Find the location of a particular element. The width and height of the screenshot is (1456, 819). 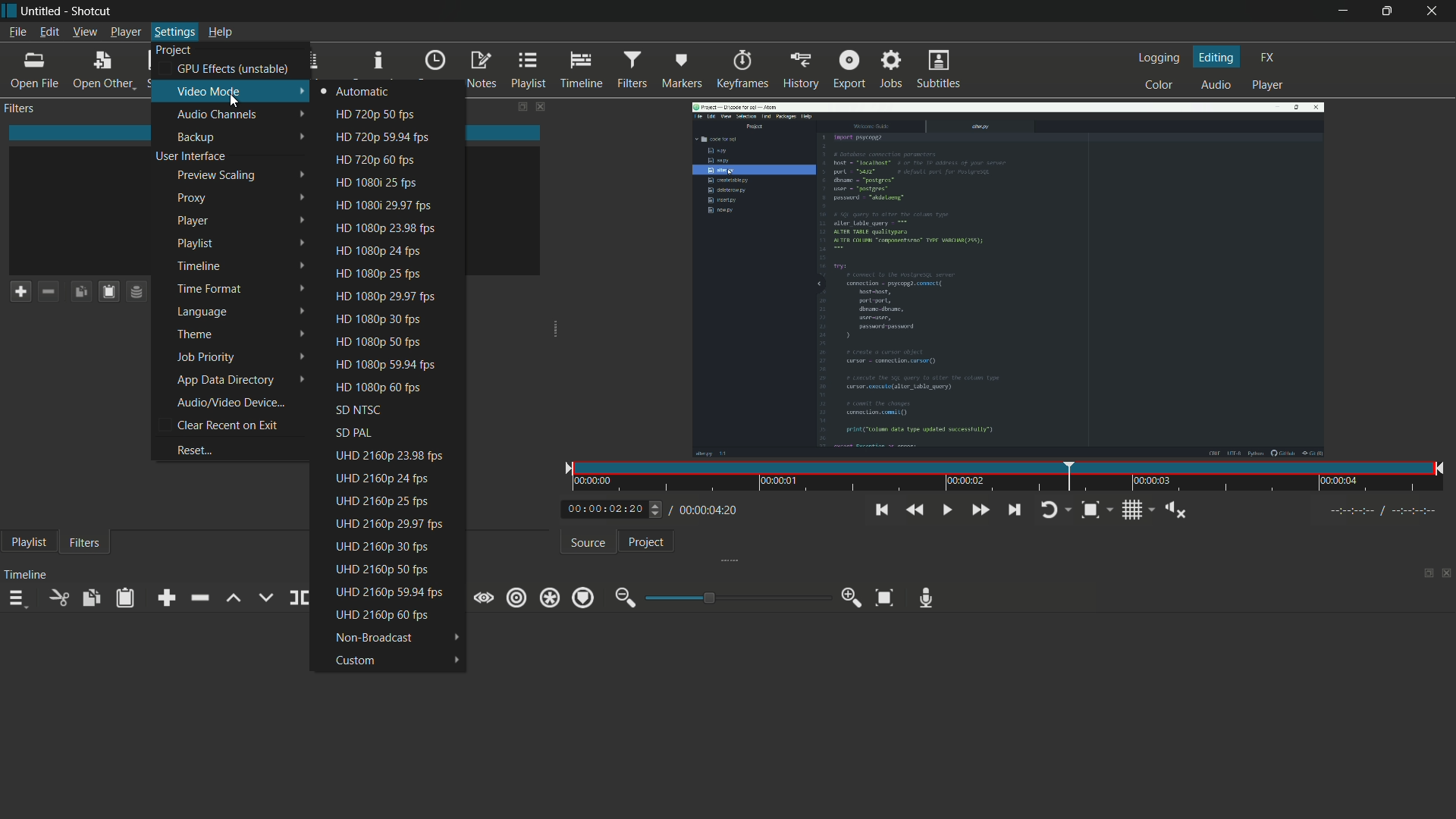

uhd 2160p 59.94 fps is located at coordinates (389, 591).